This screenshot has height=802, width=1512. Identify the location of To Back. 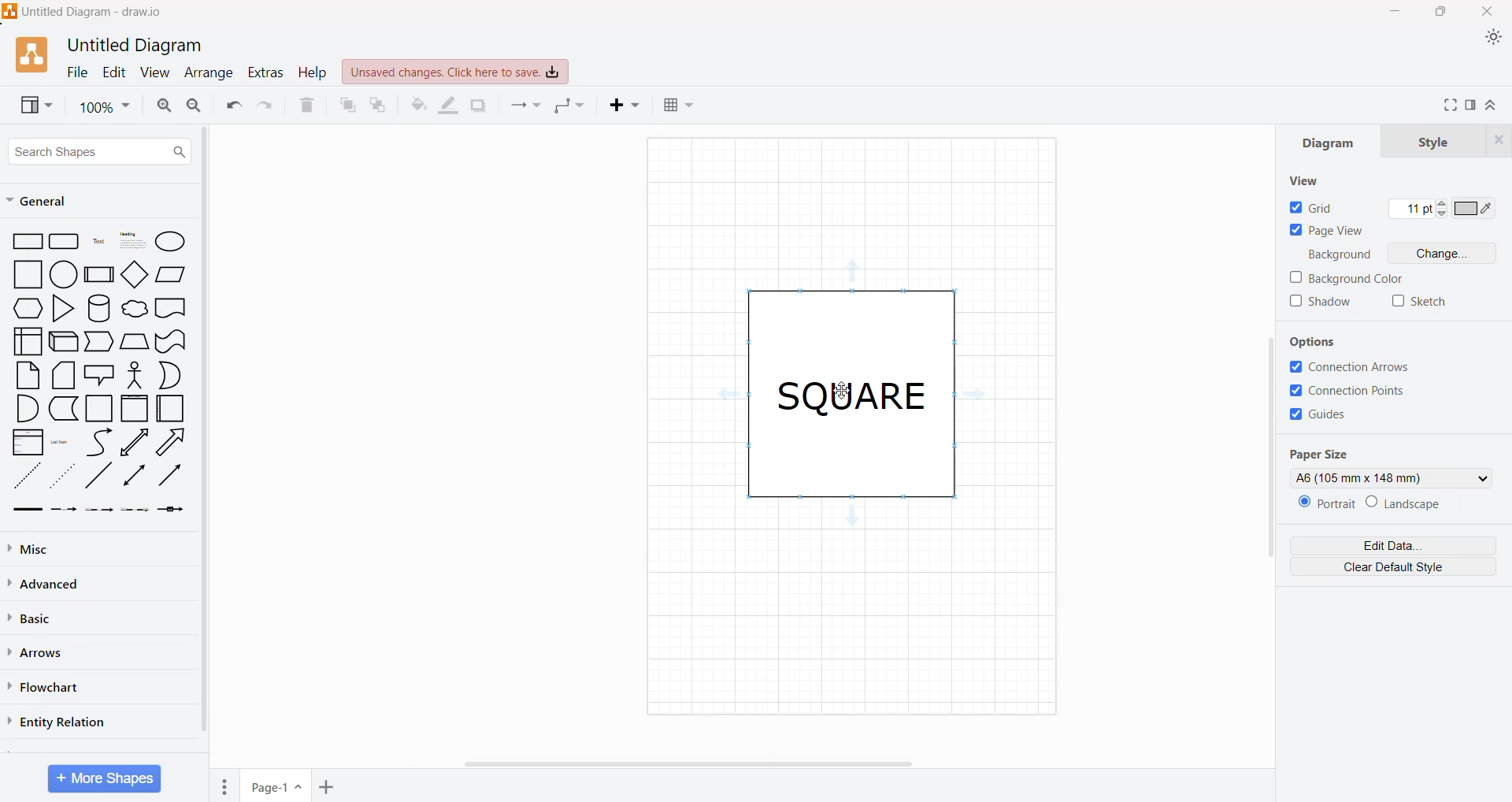
(379, 106).